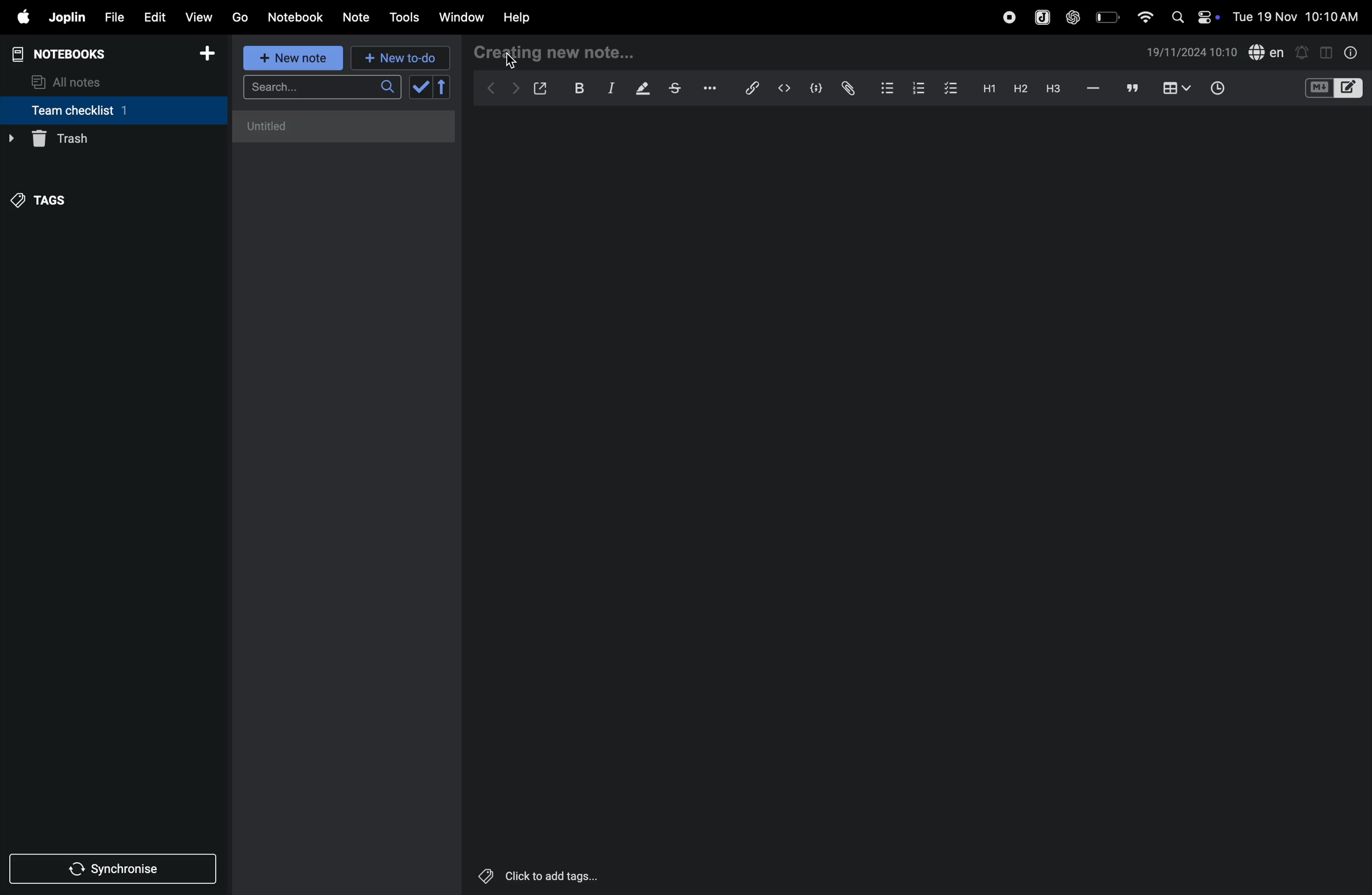 This screenshot has width=1372, height=895. I want to click on inline code, so click(784, 88).